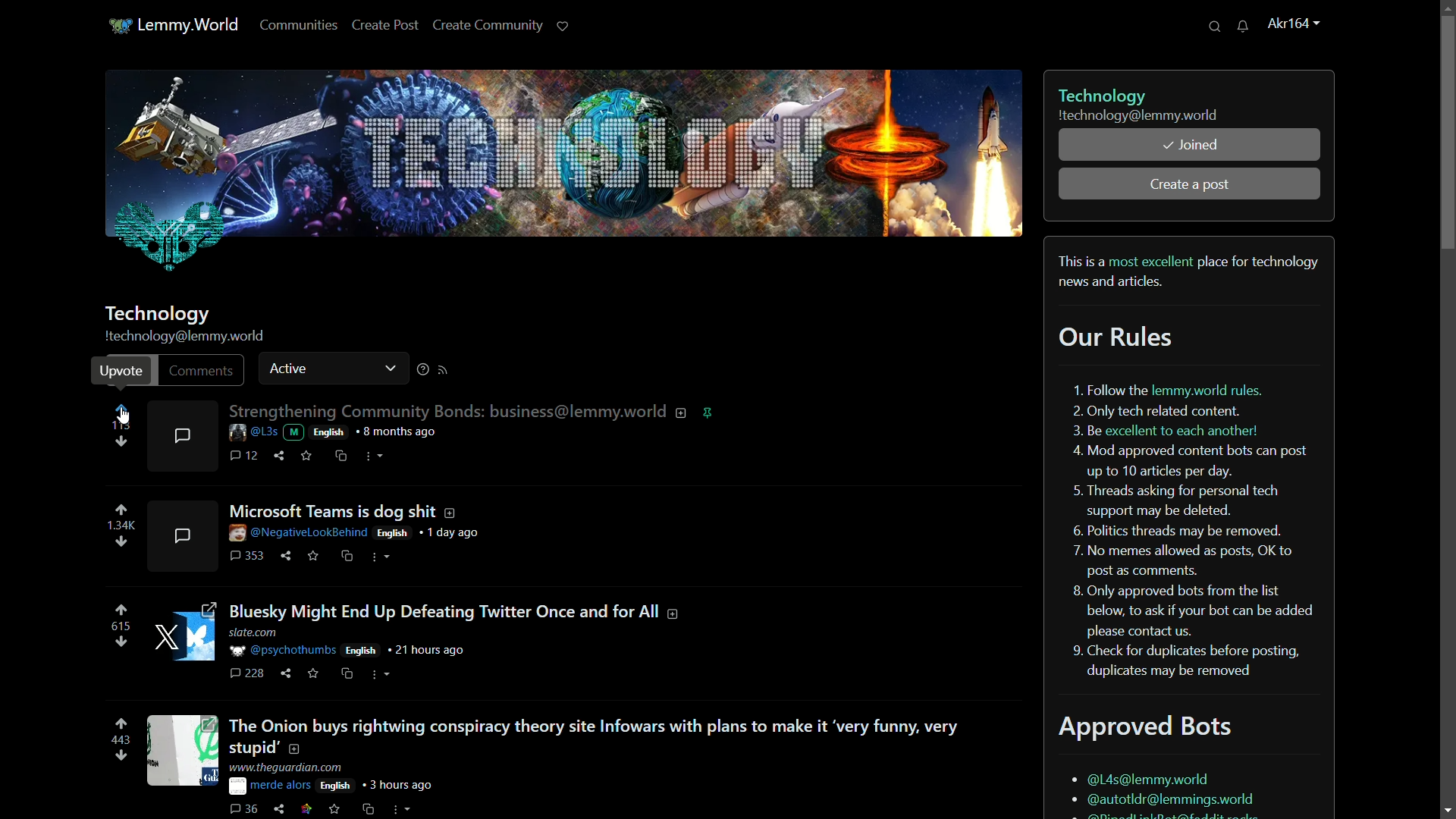 The height and width of the screenshot is (819, 1456). What do you see at coordinates (124, 510) in the screenshot?
I see `upvote` at bounding box center [124, 510].